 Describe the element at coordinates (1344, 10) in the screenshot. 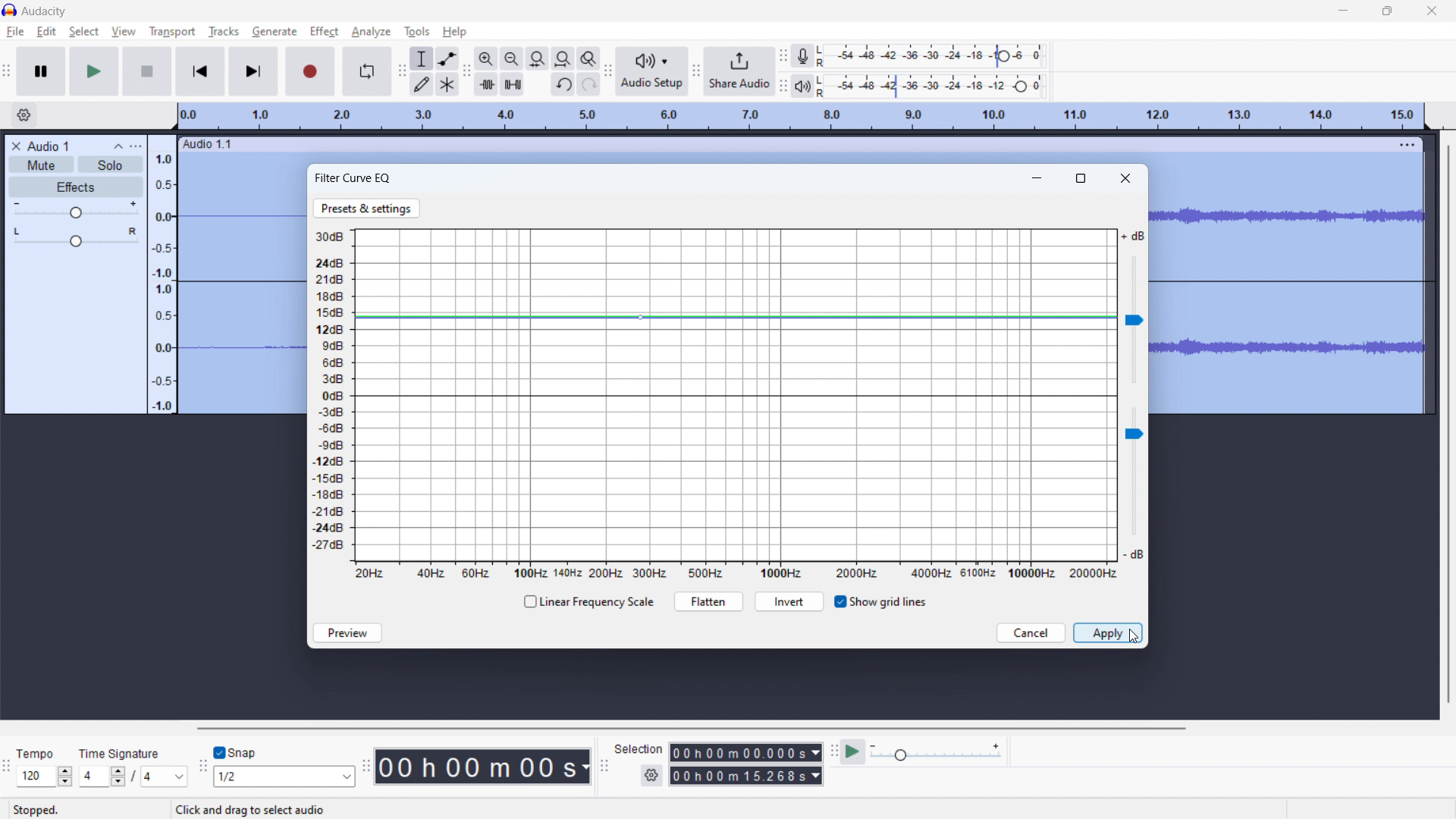

I see `minimize` at that location.